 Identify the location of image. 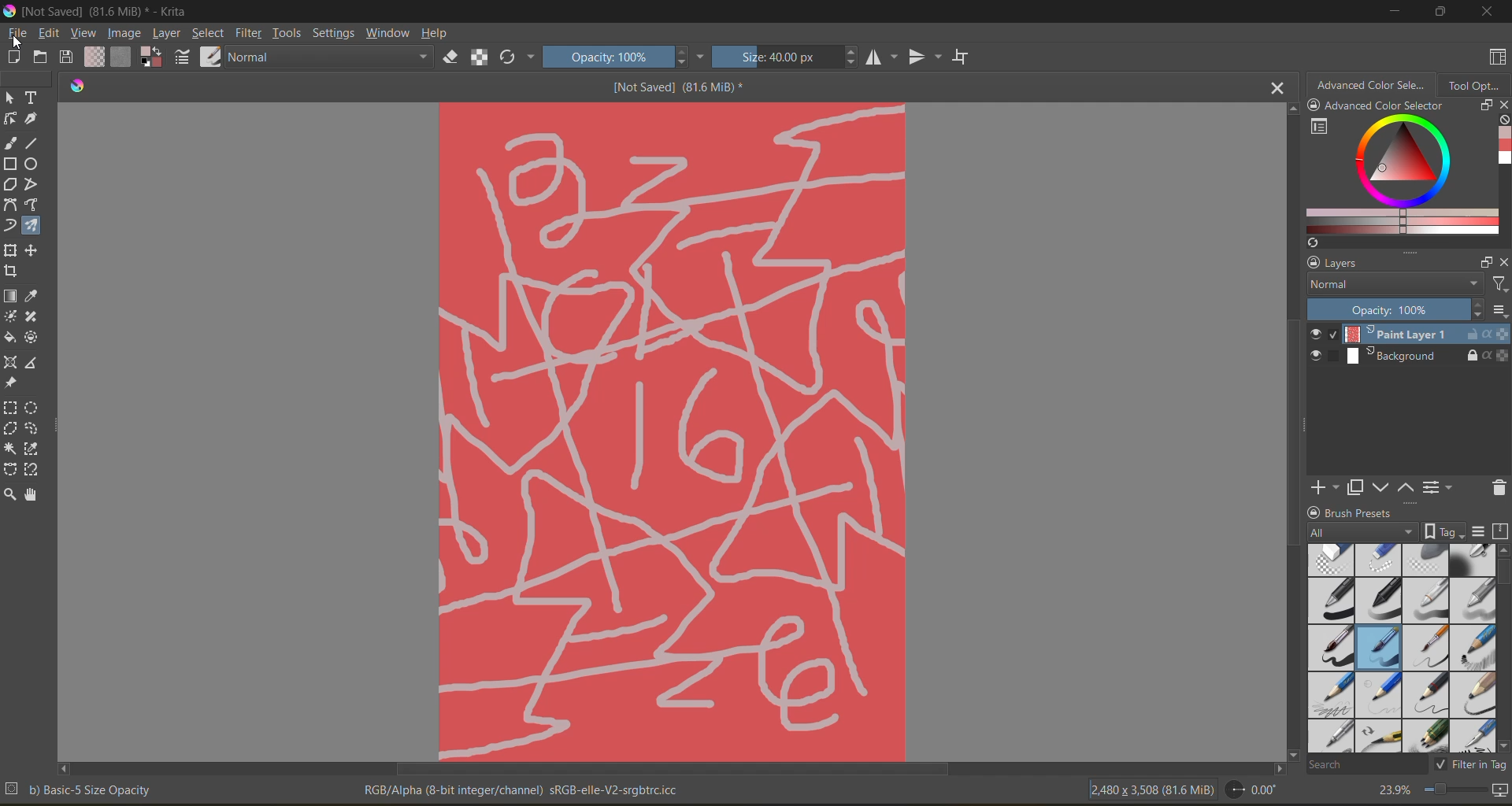
(126, 33).